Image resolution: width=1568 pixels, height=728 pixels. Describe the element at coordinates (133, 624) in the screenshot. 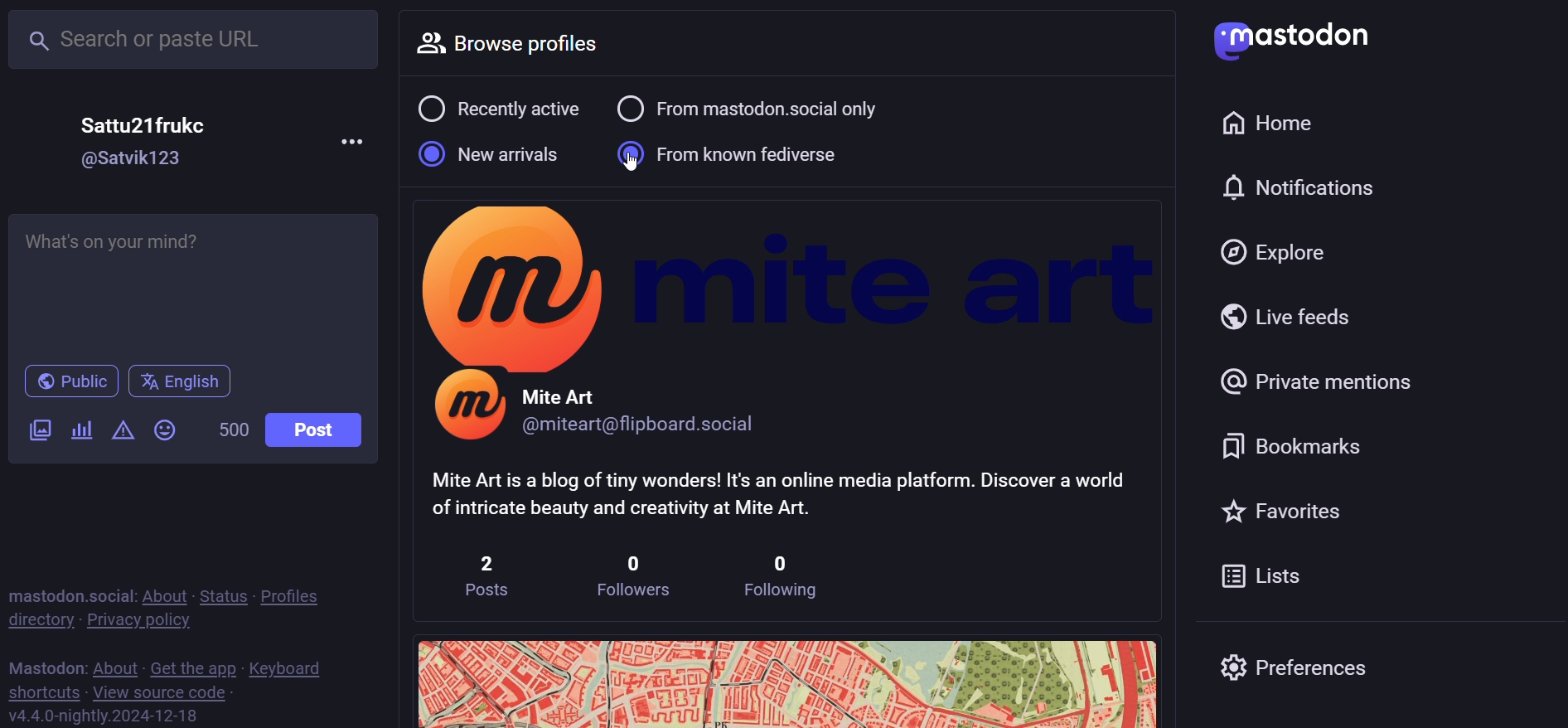

I see `private policy` at that location.